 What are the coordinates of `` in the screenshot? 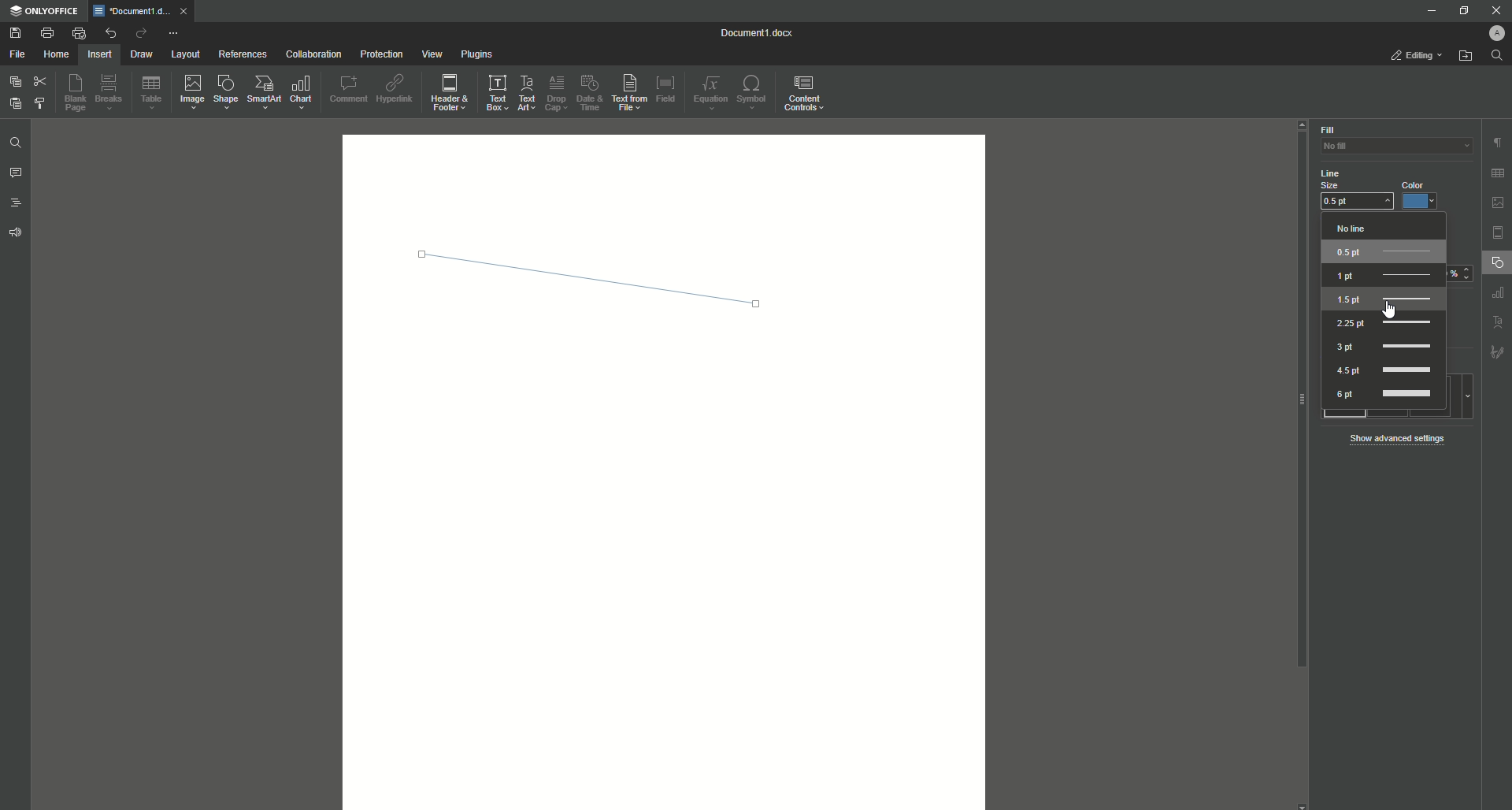 It's located at (1497, 354).